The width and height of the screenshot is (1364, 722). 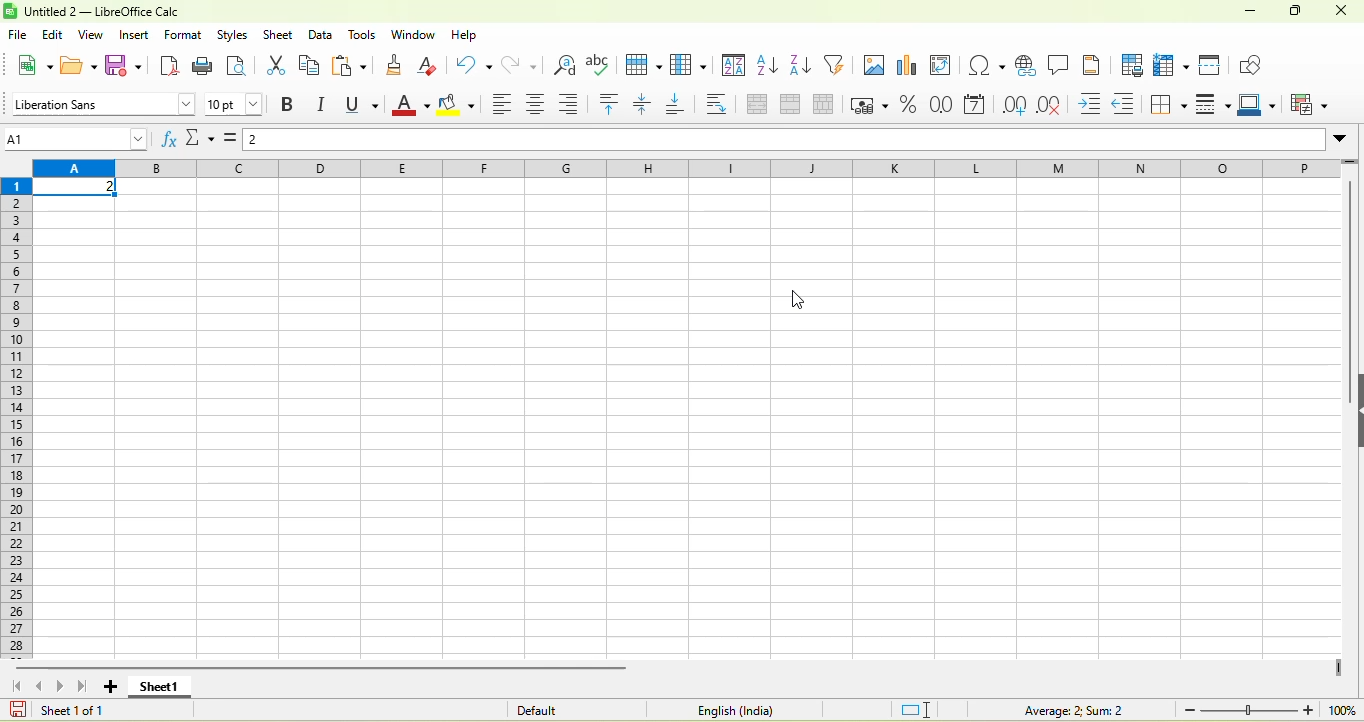 I want to click on select function, so click(x=202, y=140).